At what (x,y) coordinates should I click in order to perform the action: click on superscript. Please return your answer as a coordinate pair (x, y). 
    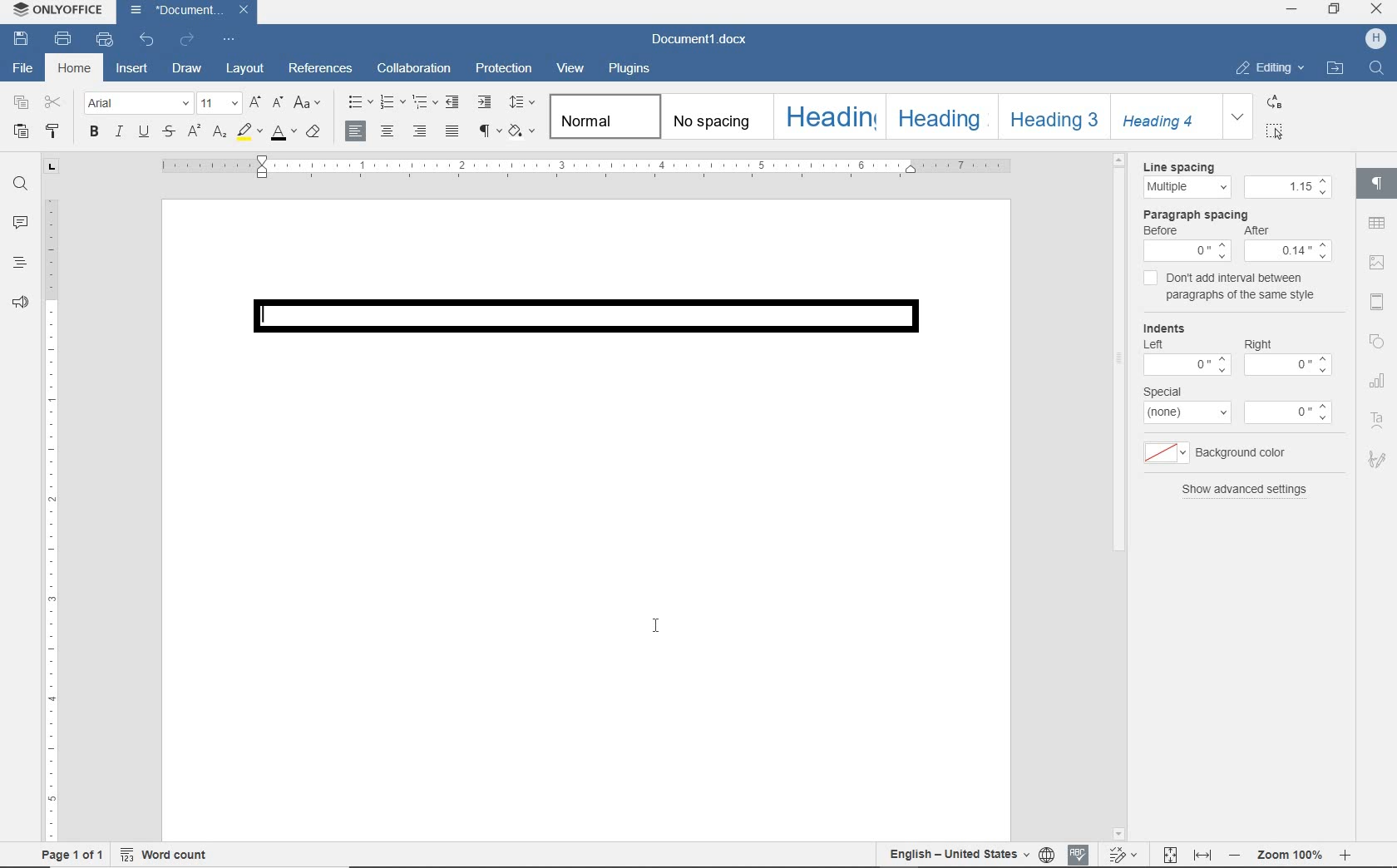
    Looking at the image, I should click on (193, 133).